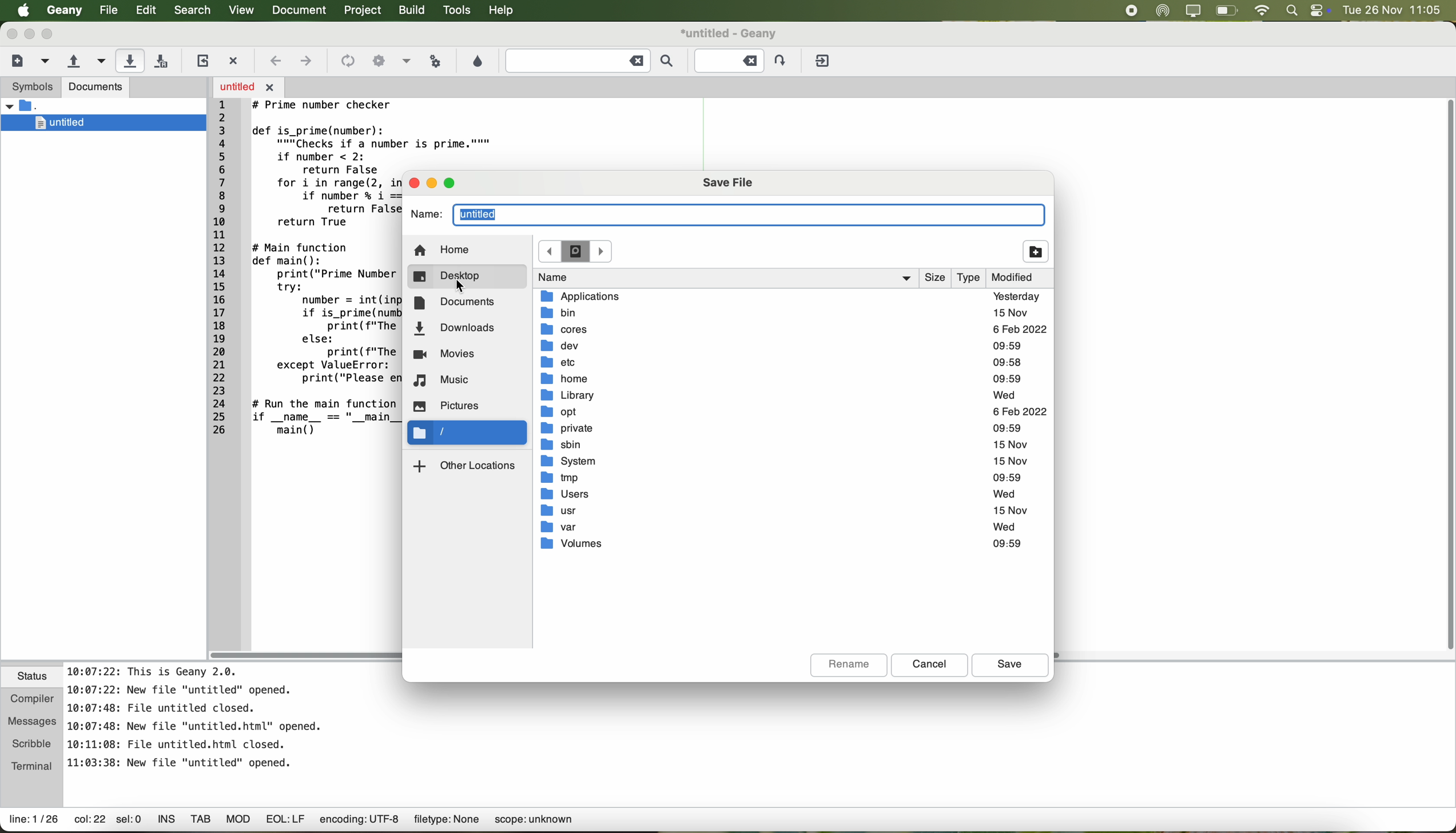  I want to click on messages, so click(33, 718).